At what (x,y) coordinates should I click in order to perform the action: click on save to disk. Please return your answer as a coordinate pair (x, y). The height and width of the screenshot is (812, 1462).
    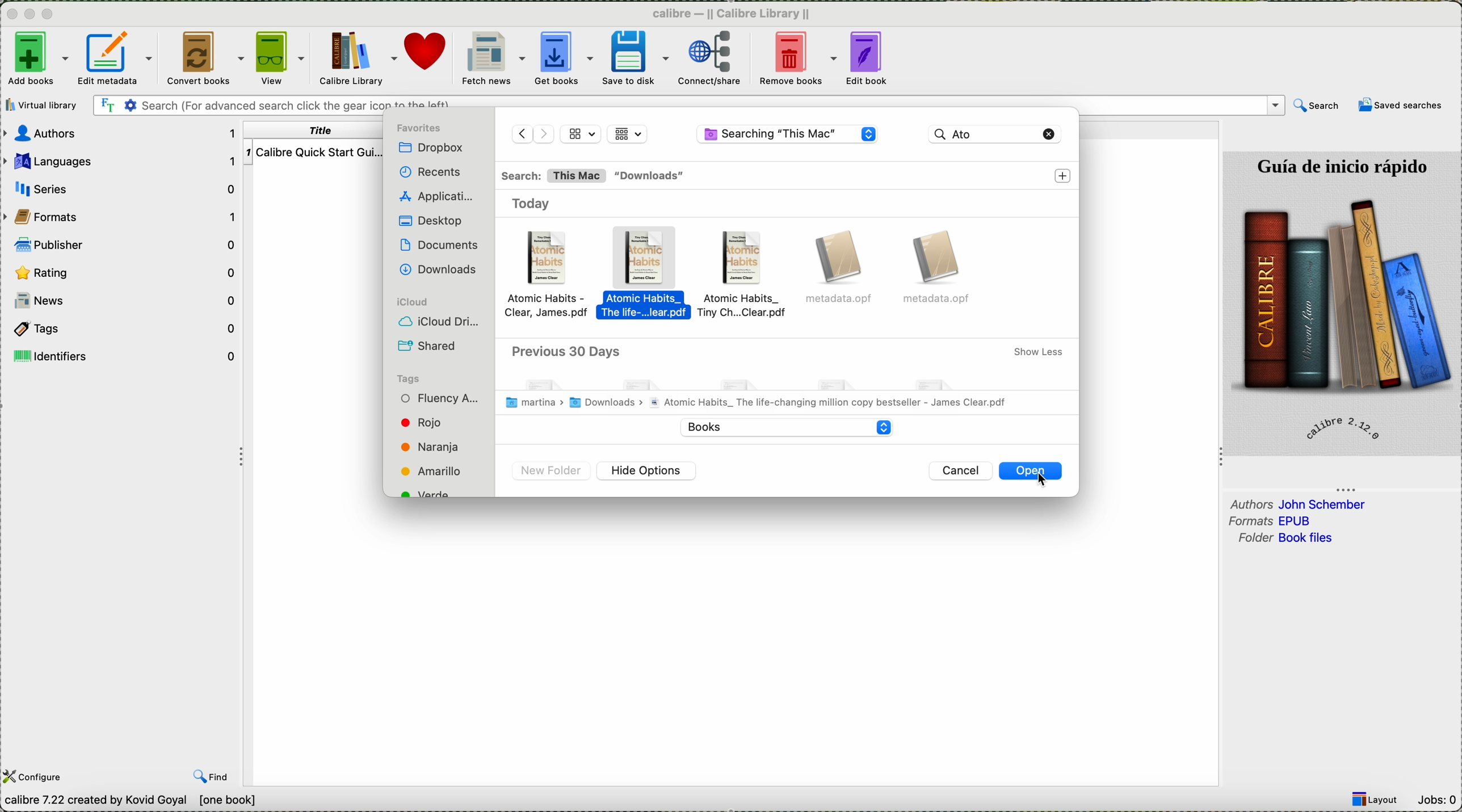
    Looking at the image, I should click on (633, 58).